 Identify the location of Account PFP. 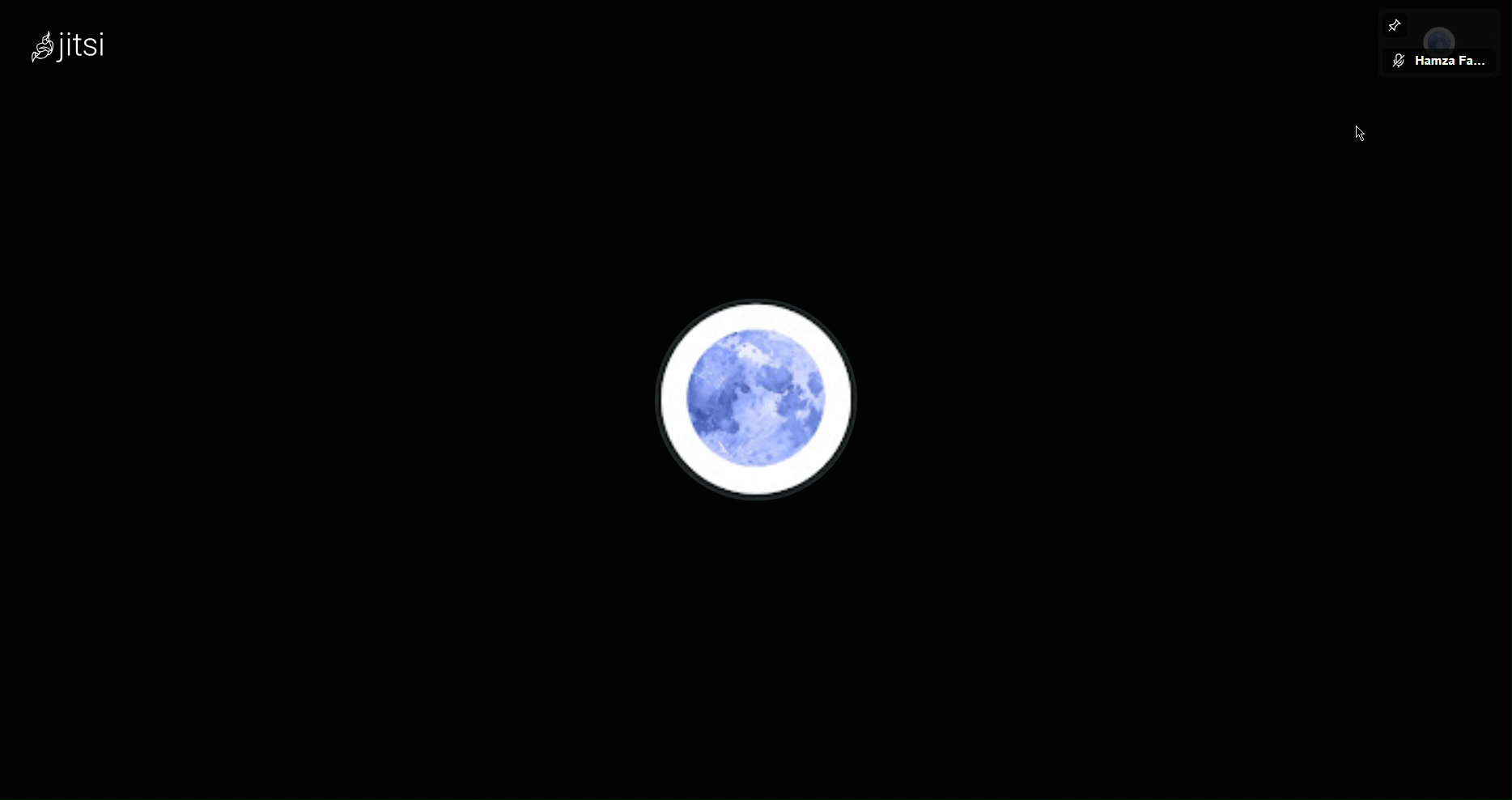
(765, 400).